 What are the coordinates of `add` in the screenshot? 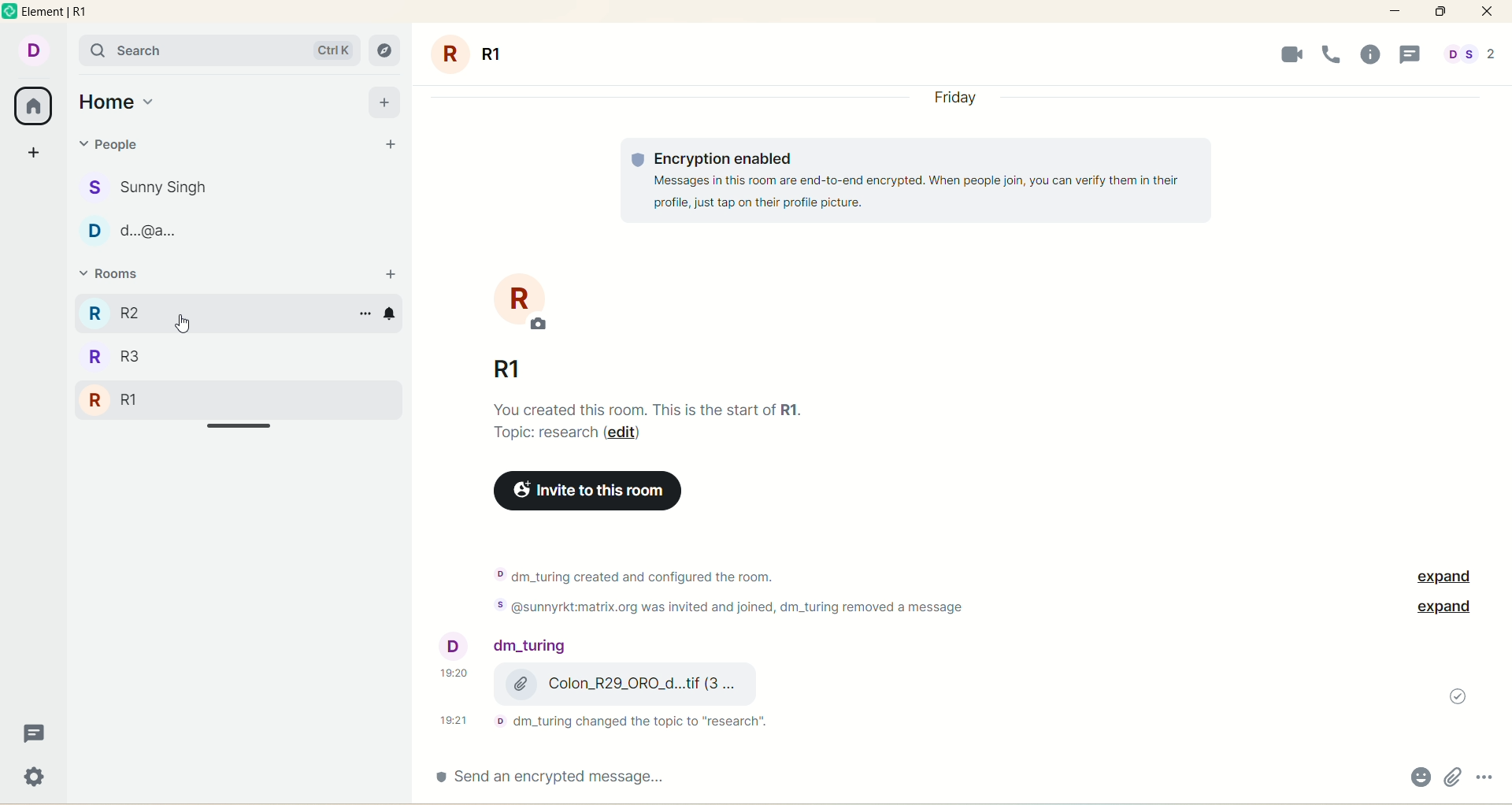 It's located at (384, 101).